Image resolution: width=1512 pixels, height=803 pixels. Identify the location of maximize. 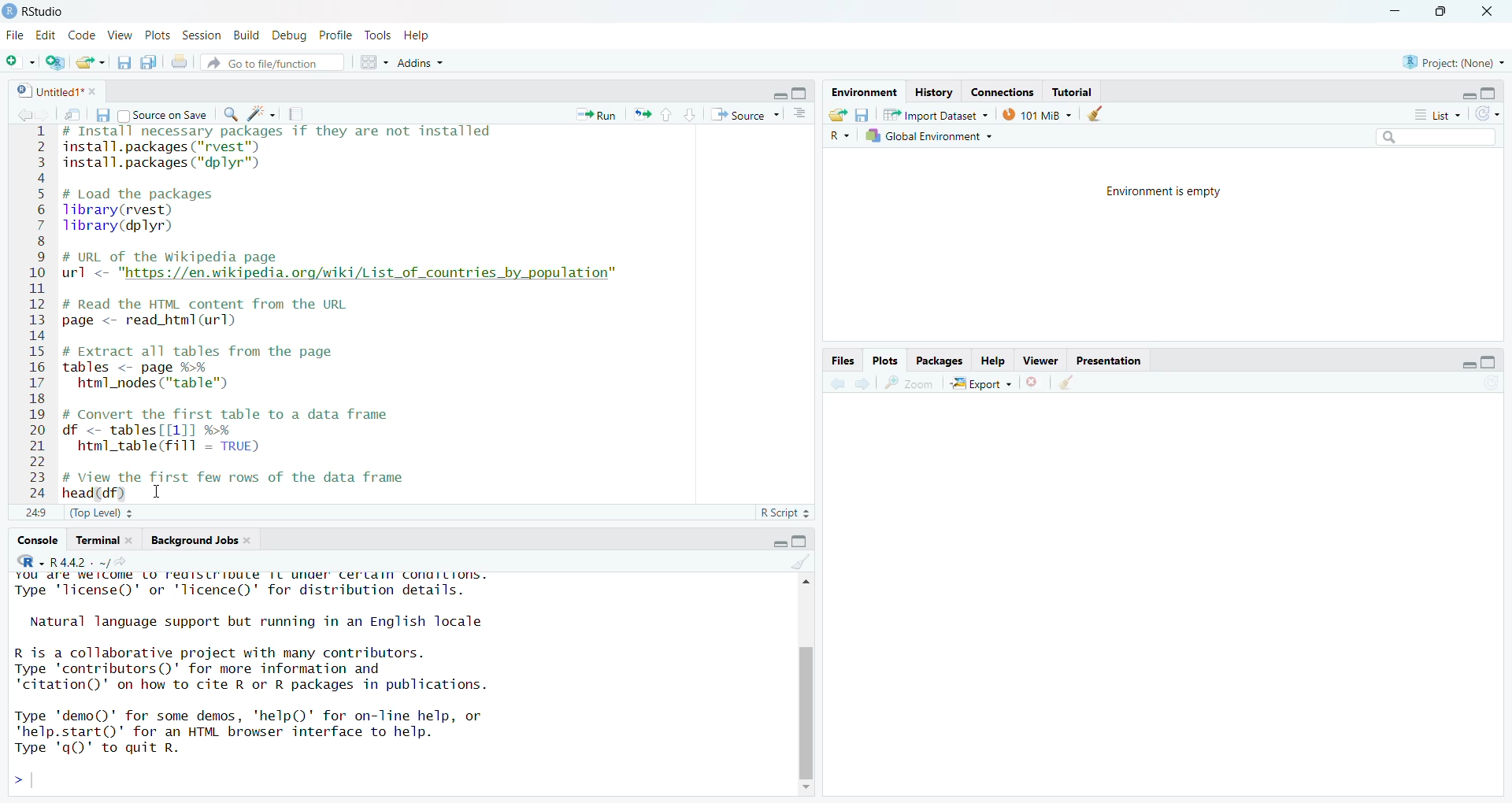
(1489, 93).